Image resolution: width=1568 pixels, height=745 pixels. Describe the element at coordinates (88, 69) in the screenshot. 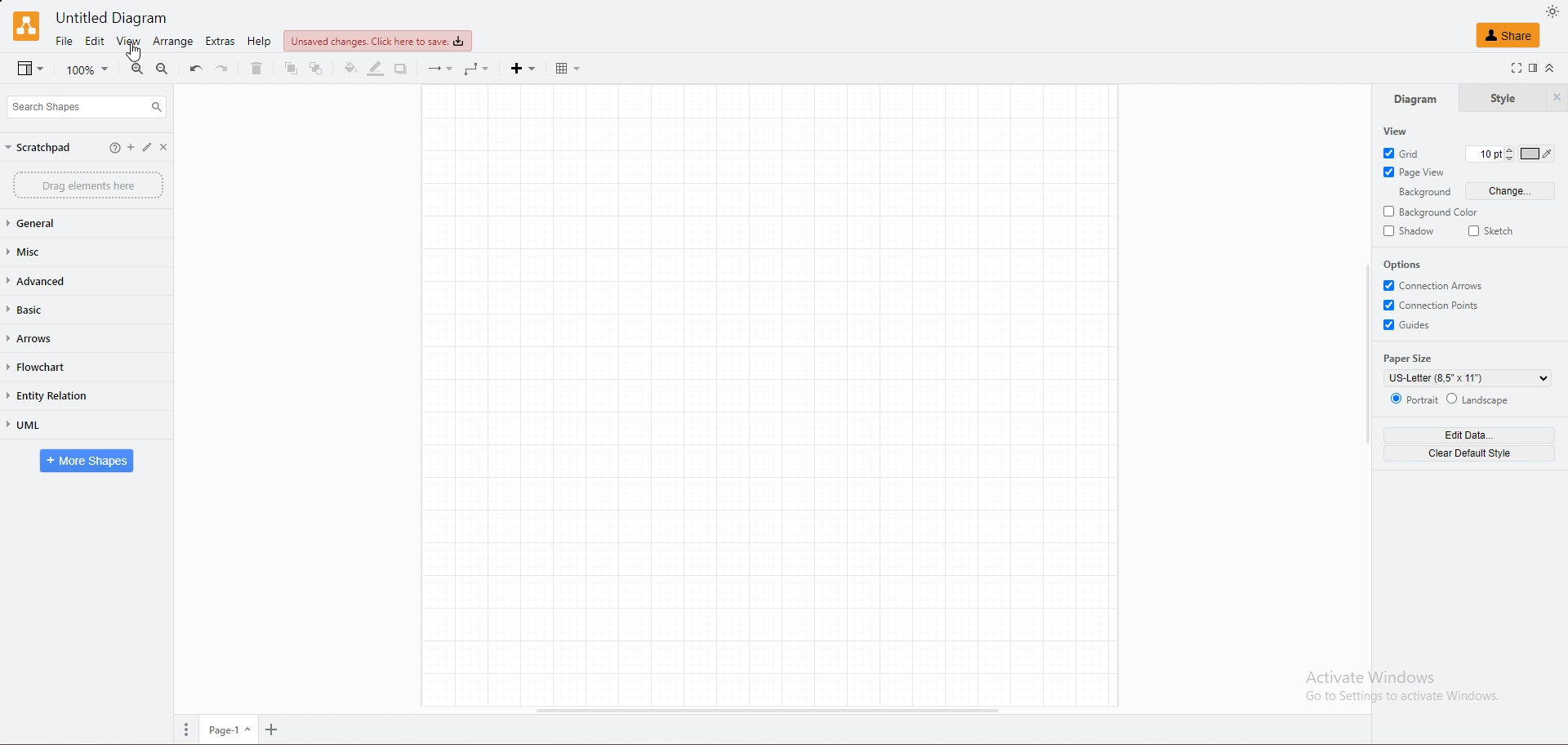

I see `zoom percentage` at that location.